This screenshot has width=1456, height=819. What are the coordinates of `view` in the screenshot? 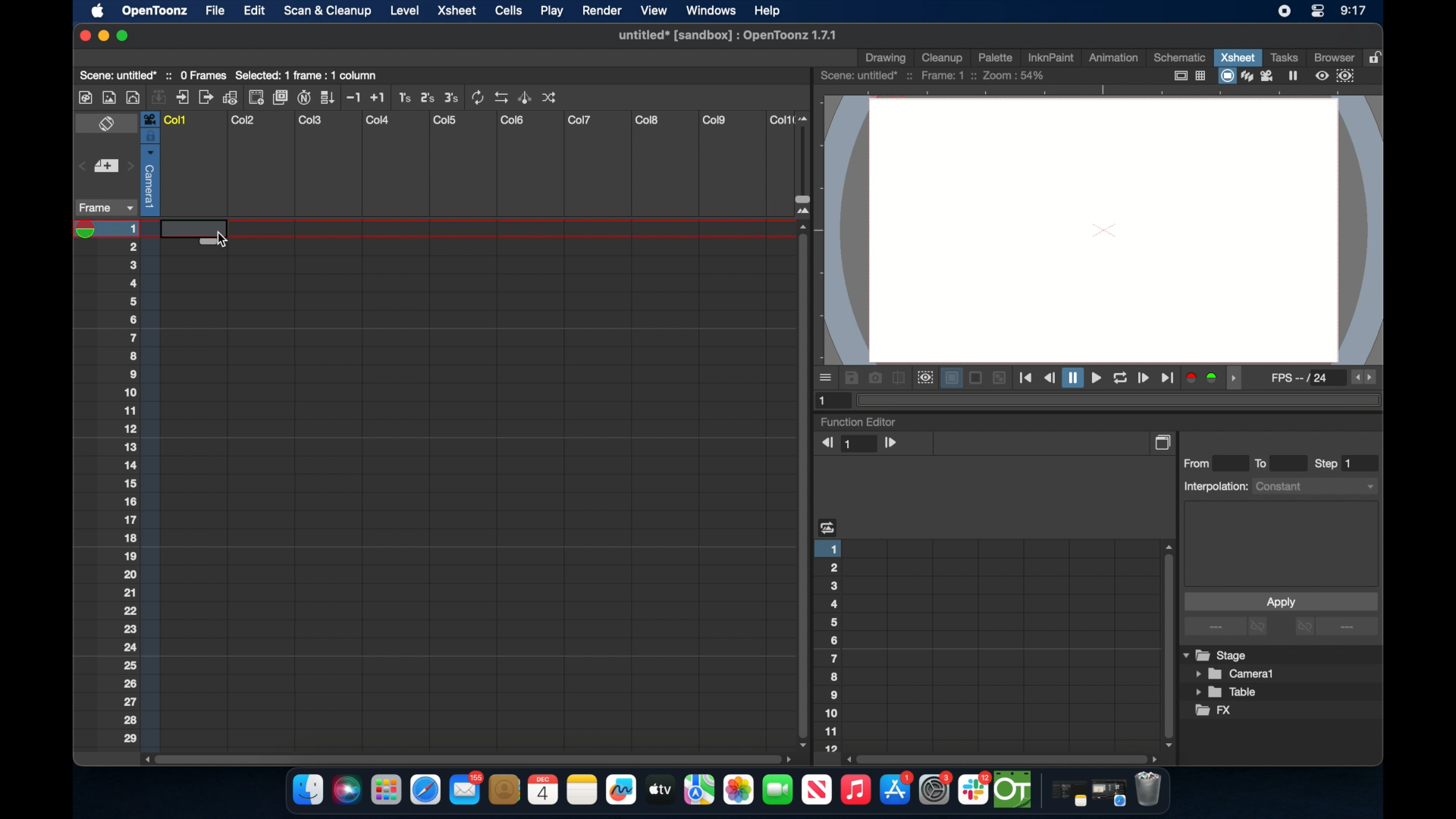 It's located at (651, 11).